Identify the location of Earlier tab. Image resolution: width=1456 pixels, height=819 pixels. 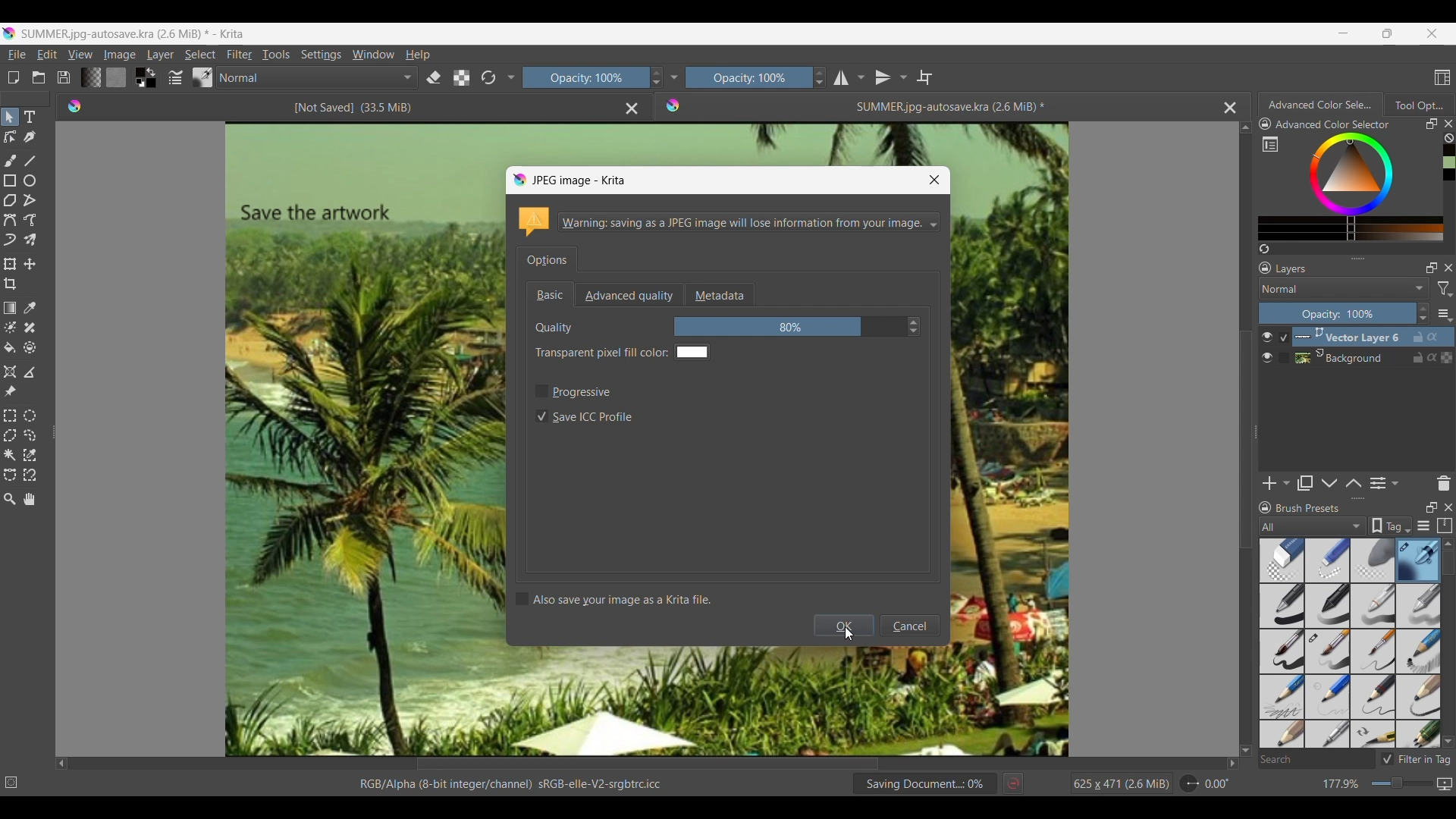
(340, 106).